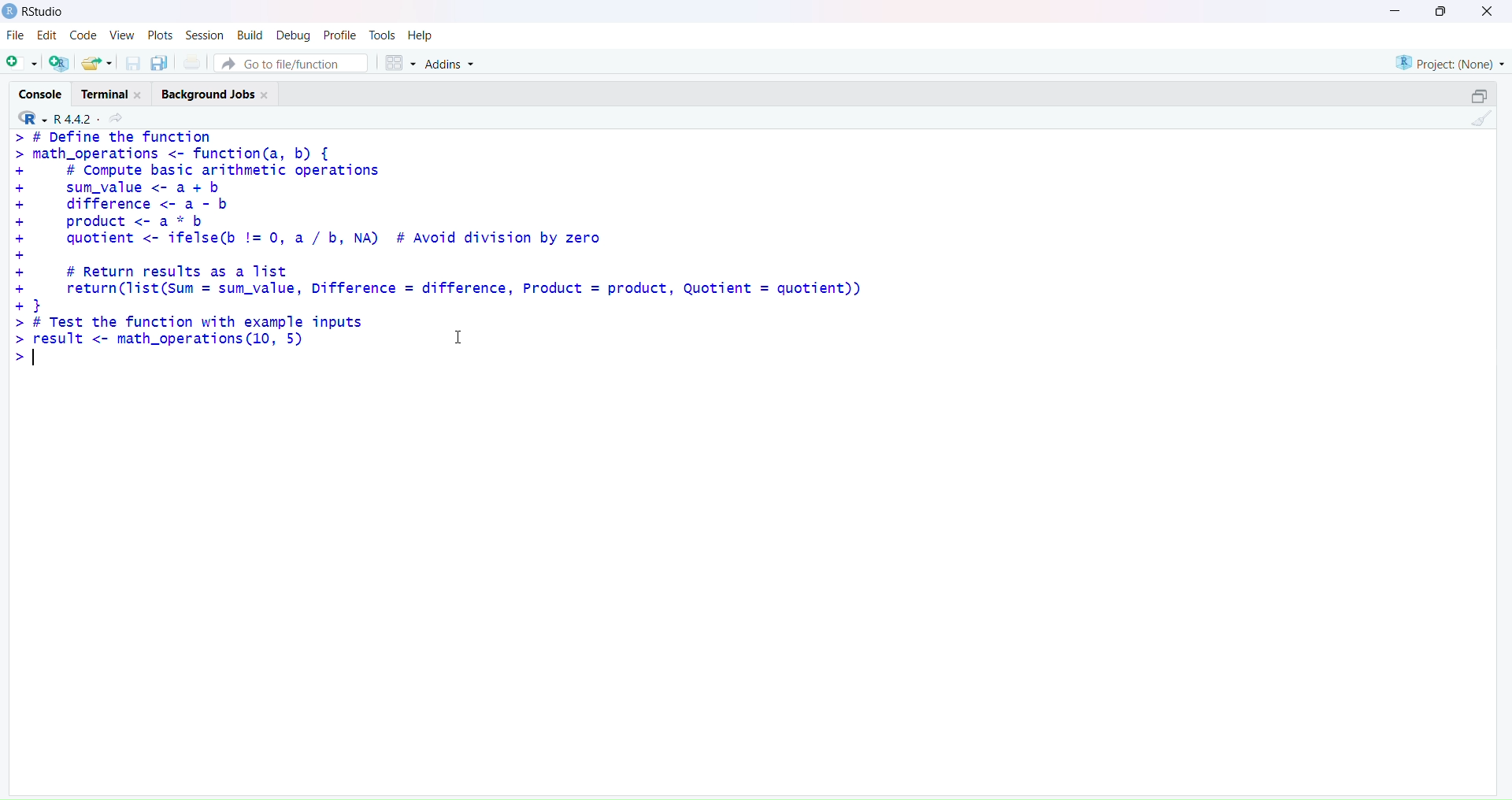 This screenshot has width=1512, height=800. What do you see at coordinates (20, 61) in the screenshot?
I see `New File` at bounding box center [20, 61].